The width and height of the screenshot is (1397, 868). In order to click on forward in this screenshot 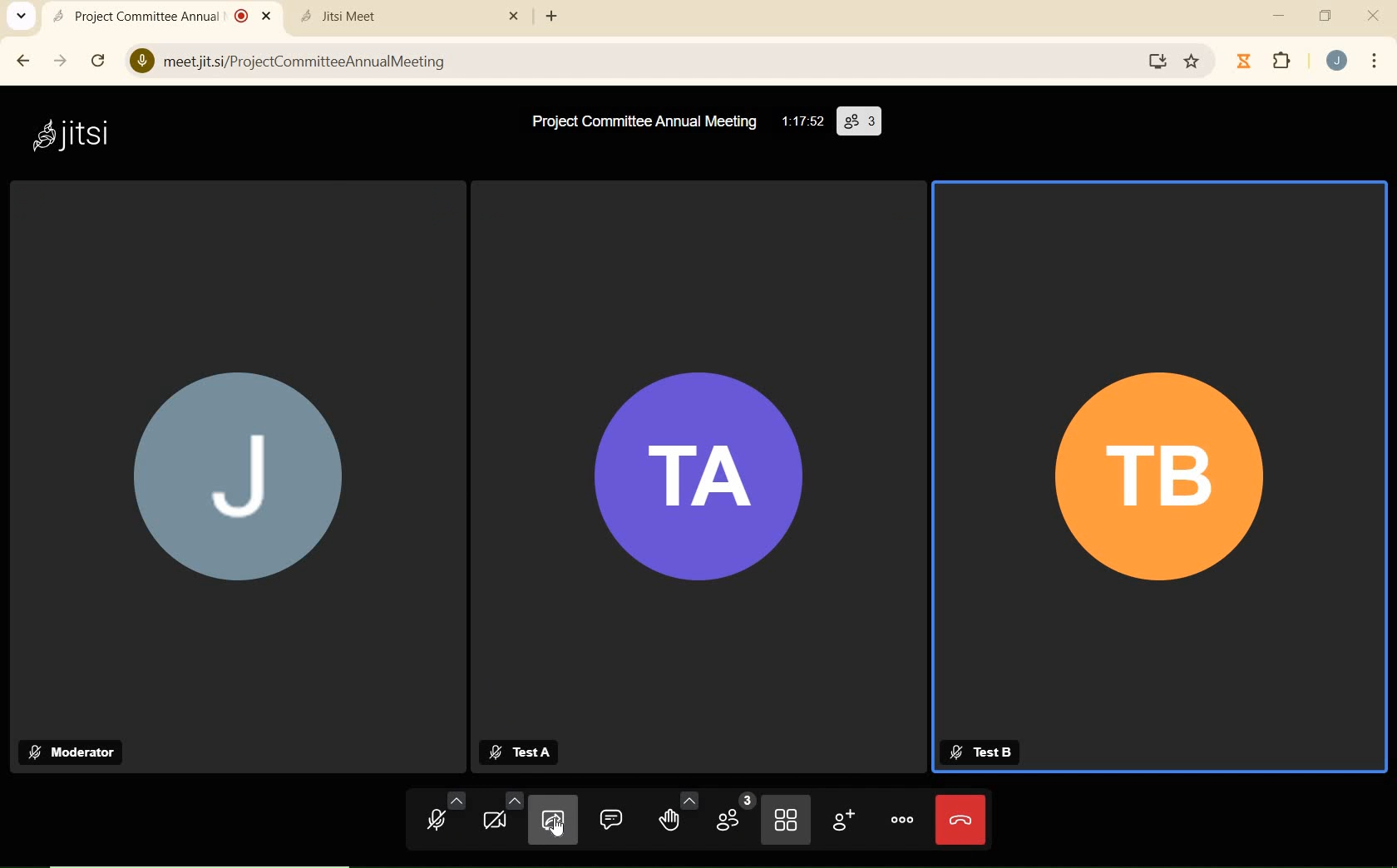, I will do `click(62, 62)`.